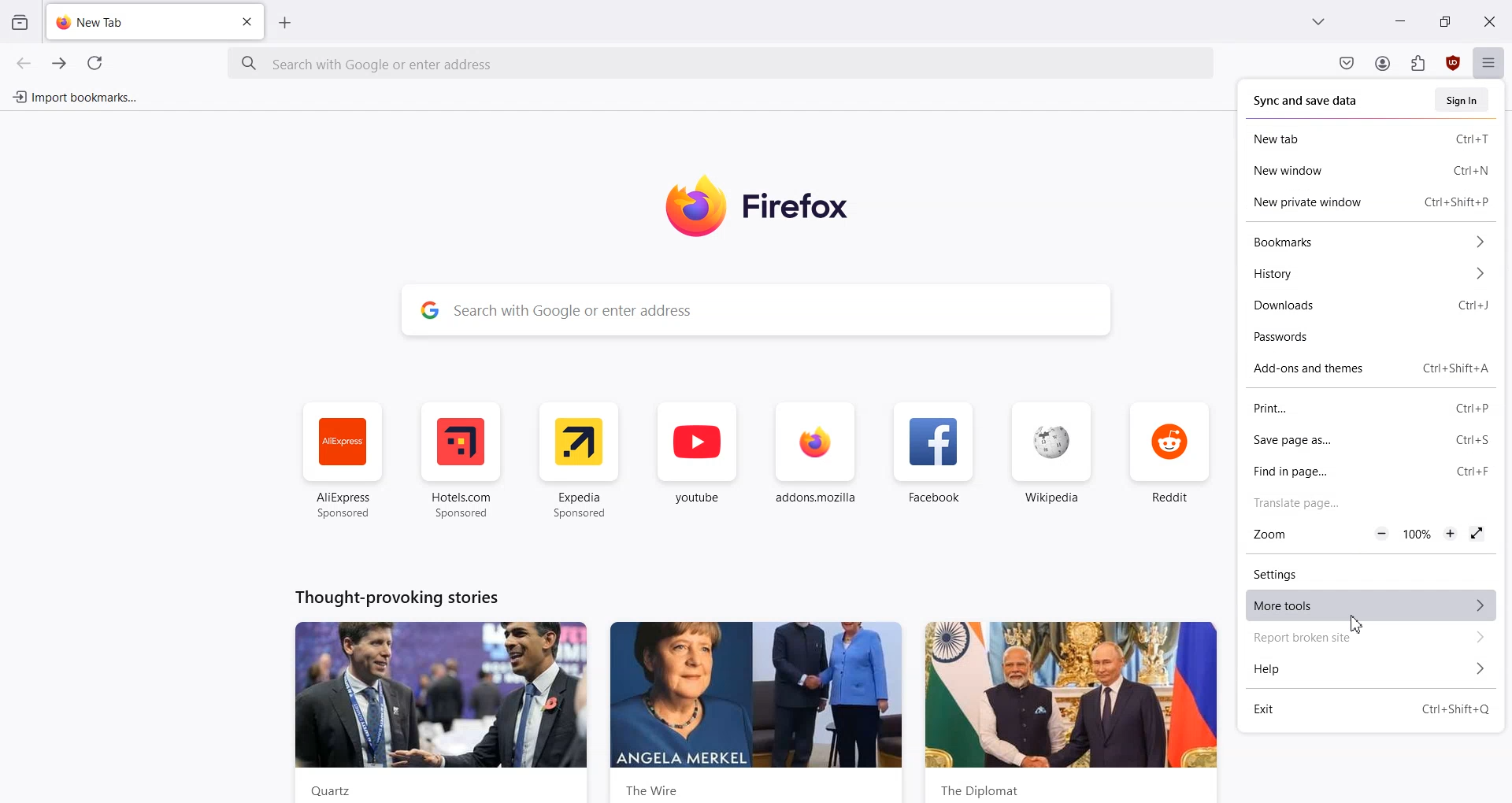 The width and height of the screenshot is (1512, 803). I want to click on youtube, so click(697, 461).